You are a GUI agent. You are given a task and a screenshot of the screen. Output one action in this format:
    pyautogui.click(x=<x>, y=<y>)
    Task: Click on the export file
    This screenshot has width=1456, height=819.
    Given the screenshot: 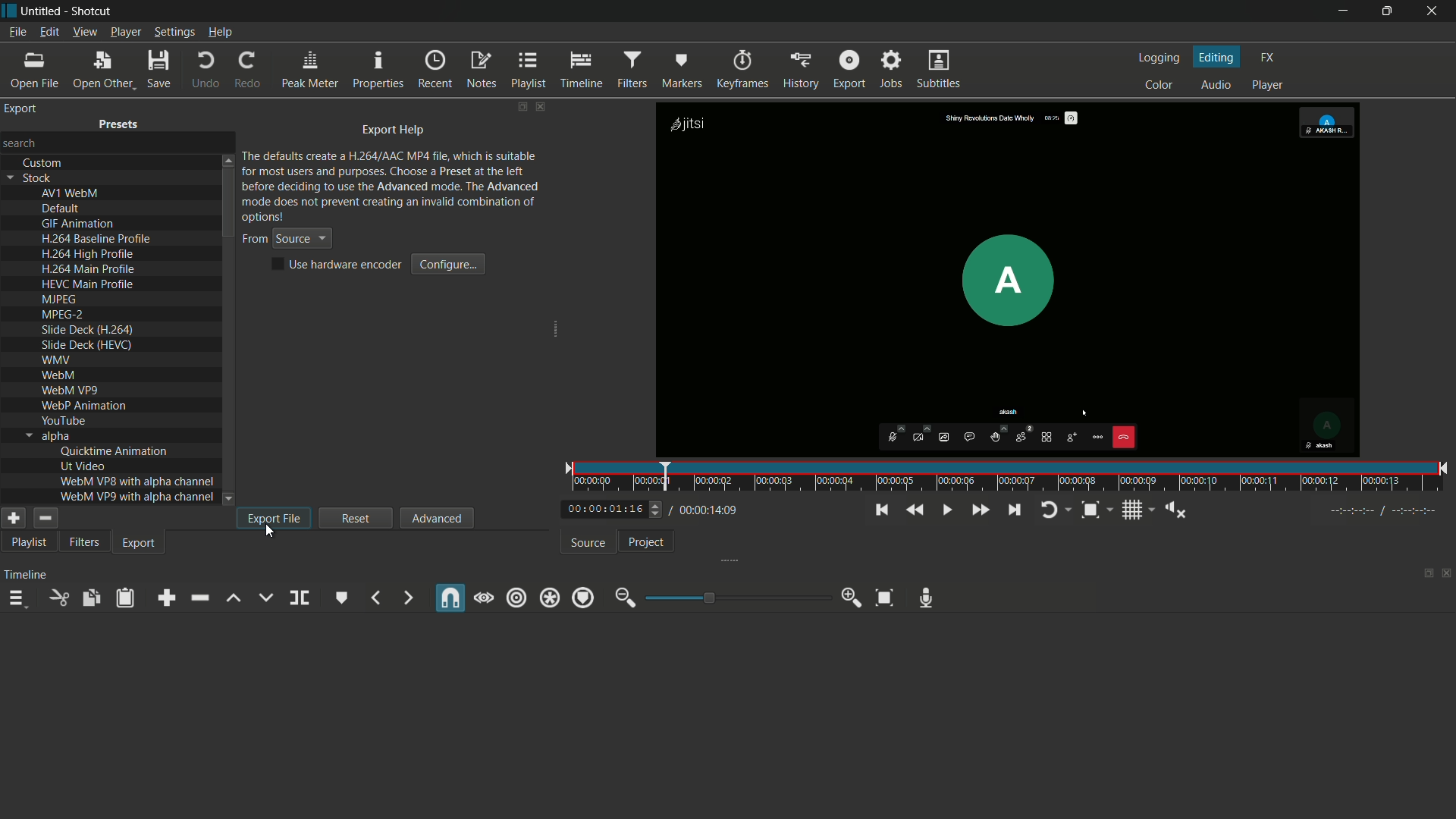 What is the action you would take?
    pyautogui.click(x=274, y=517)
    